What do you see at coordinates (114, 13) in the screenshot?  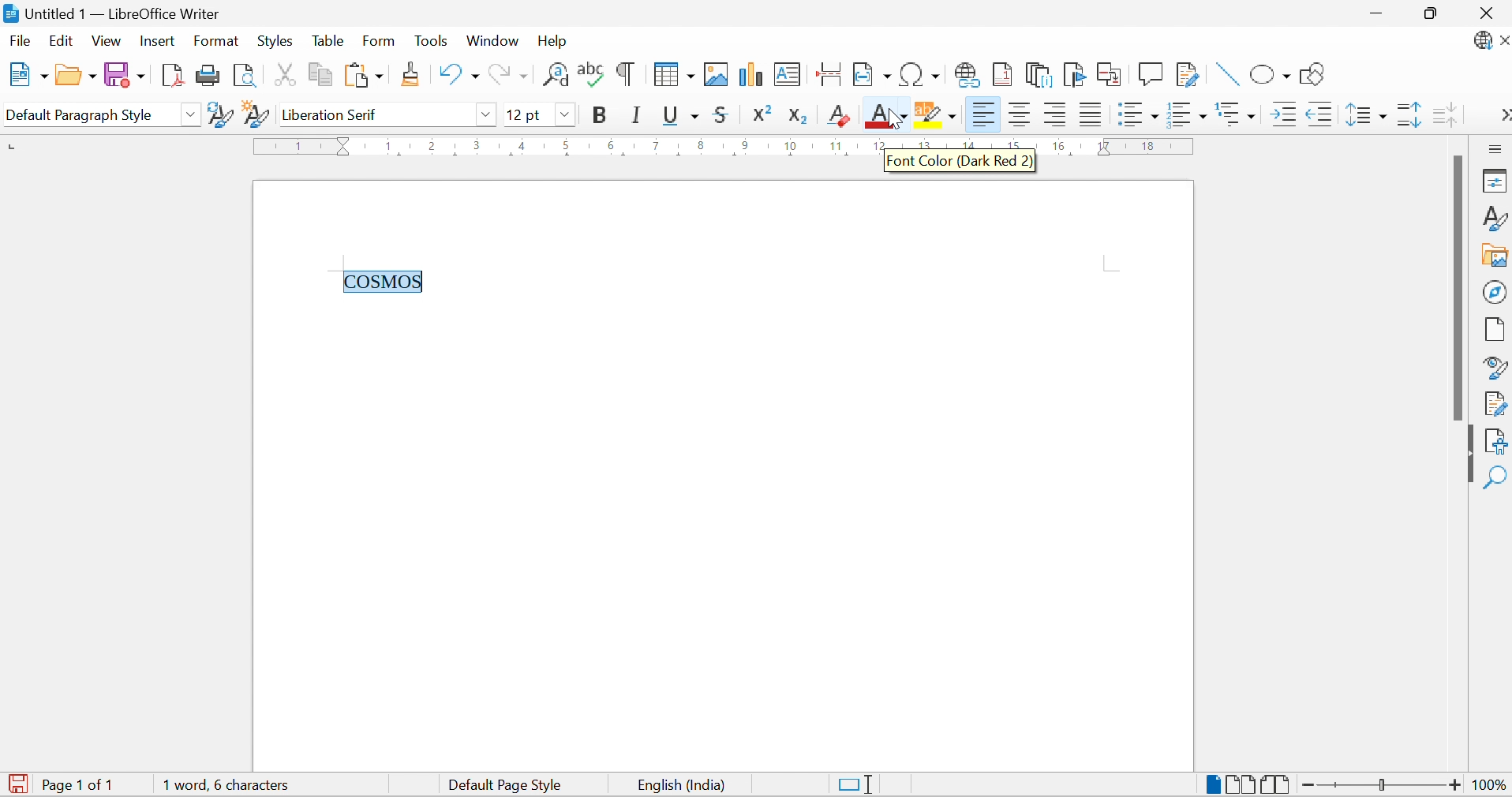 I see `Untitled 1 - LibreOffice Writer` at bounding box center [114, 13].